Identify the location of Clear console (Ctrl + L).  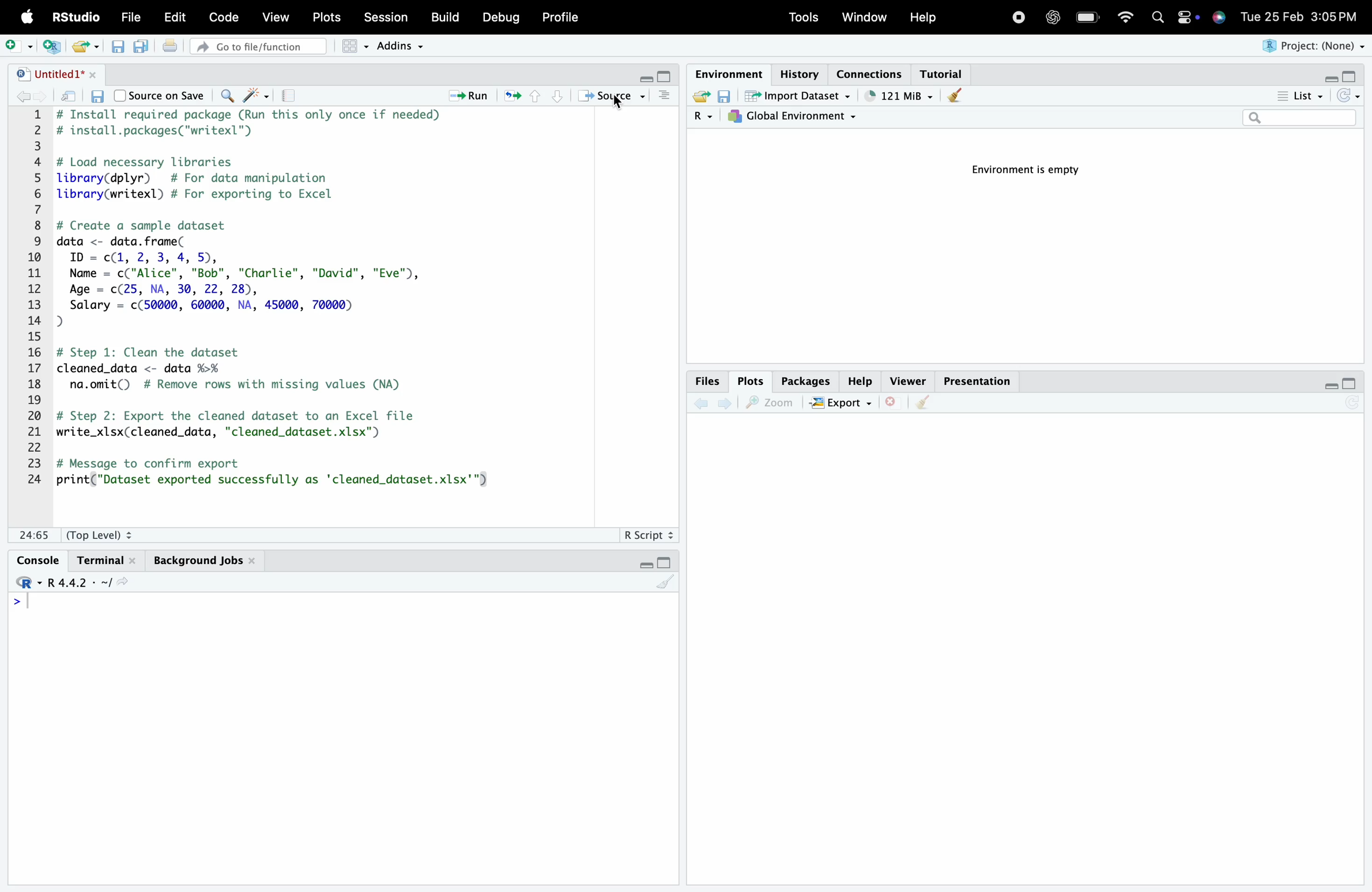
(927, 403).